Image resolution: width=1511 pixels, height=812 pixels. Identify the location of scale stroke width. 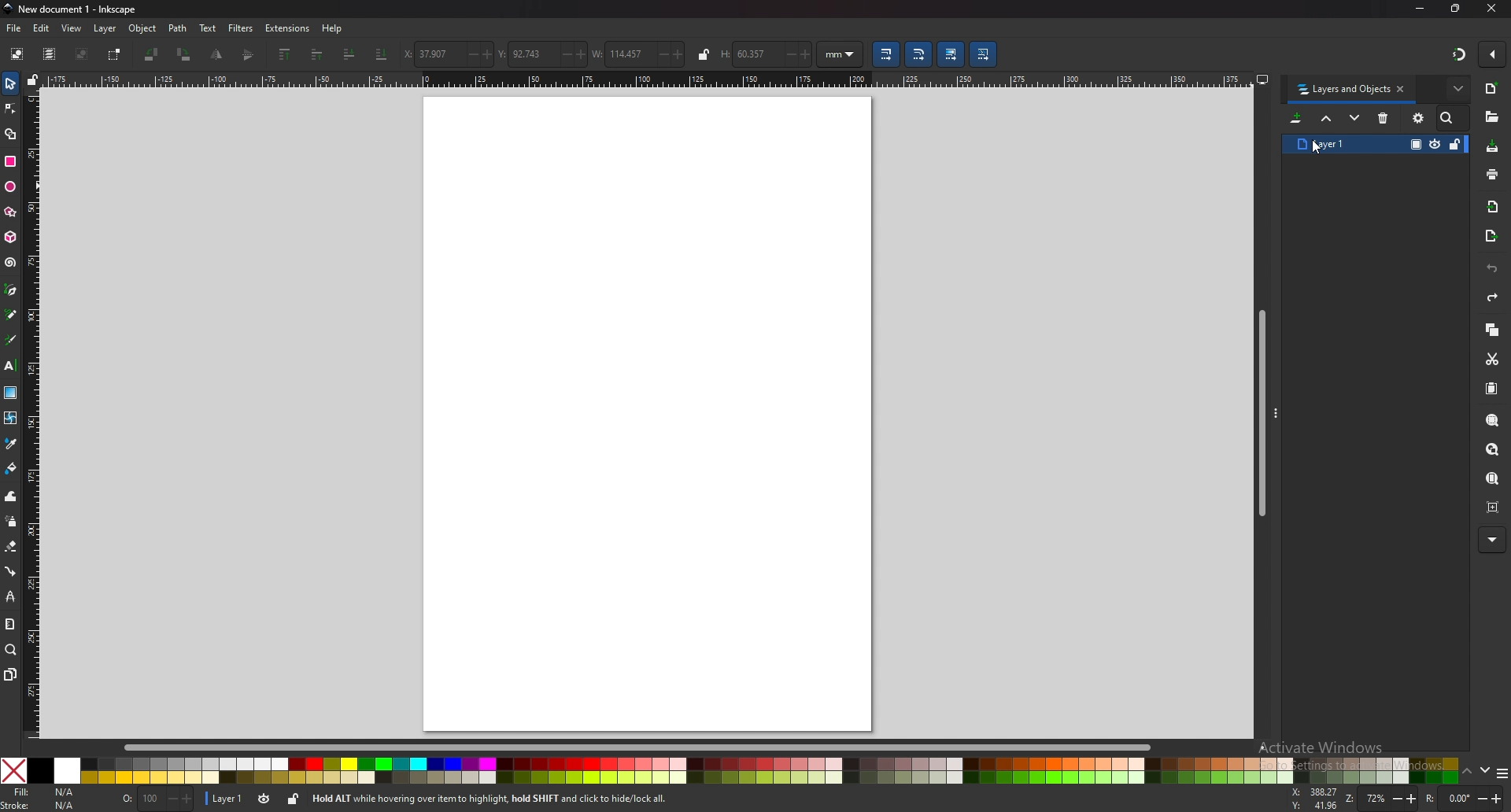
(885, 54).